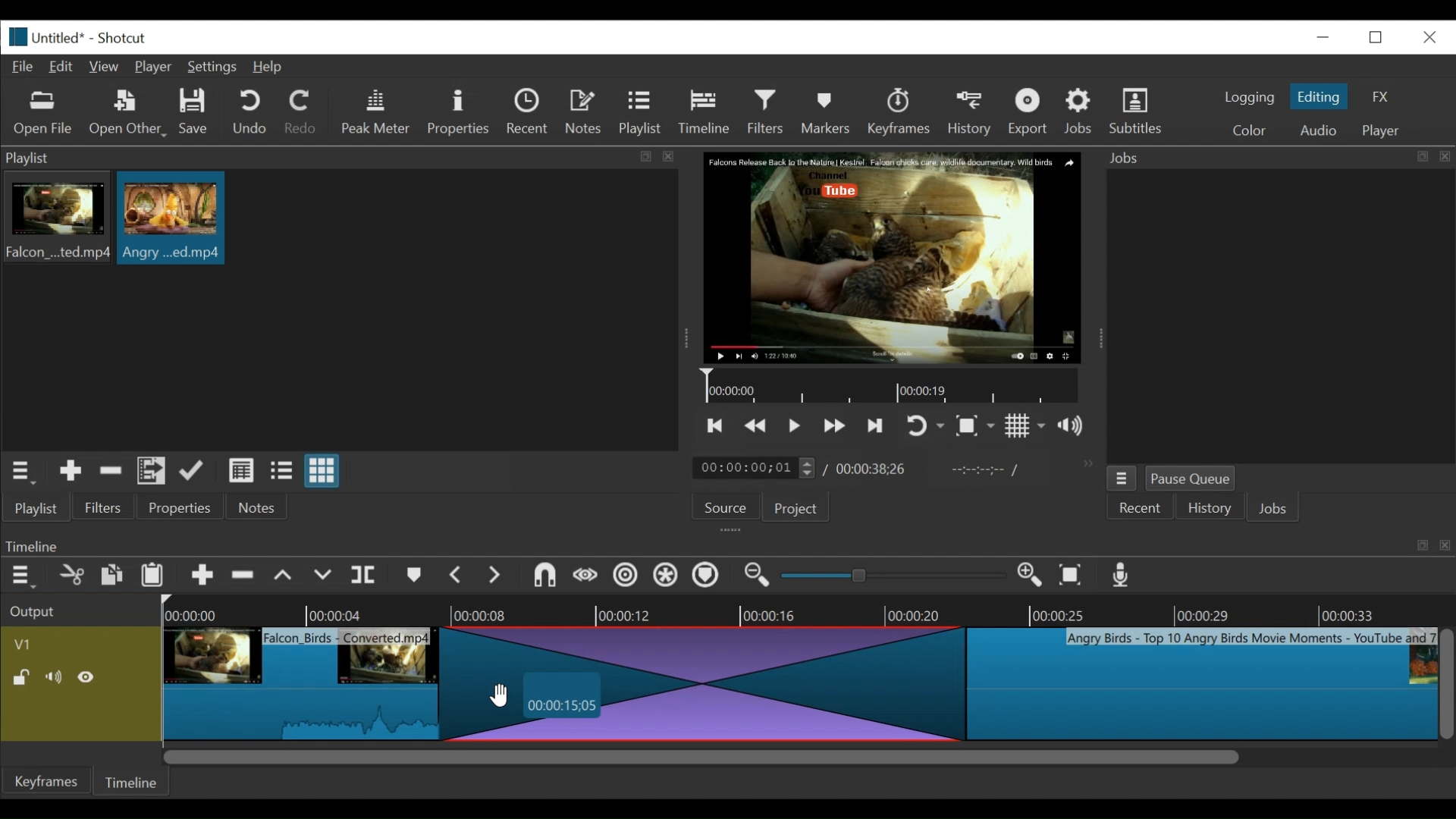 This screenshot has height=819, width=1456. What do you see at coordinates (1248, 97) in the screenshot?
I see `logging` at bounding box center [1248, 97].